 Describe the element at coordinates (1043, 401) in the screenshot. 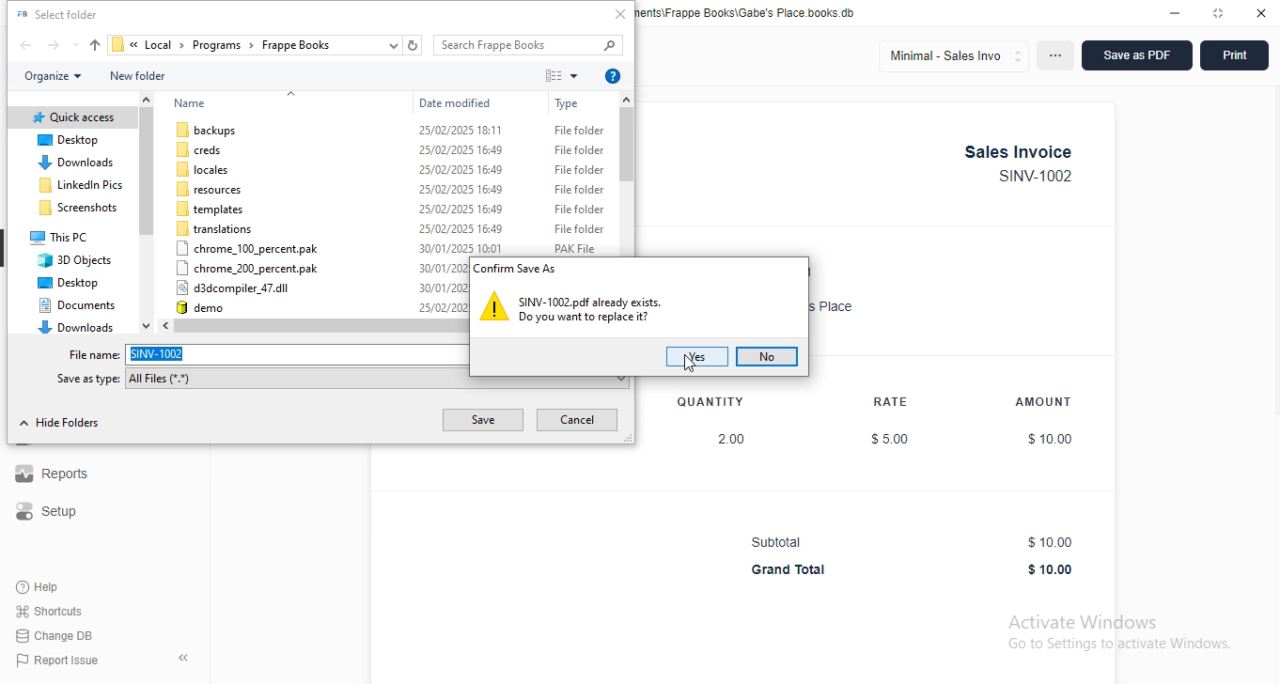

I see `AMOUNT` at that location.